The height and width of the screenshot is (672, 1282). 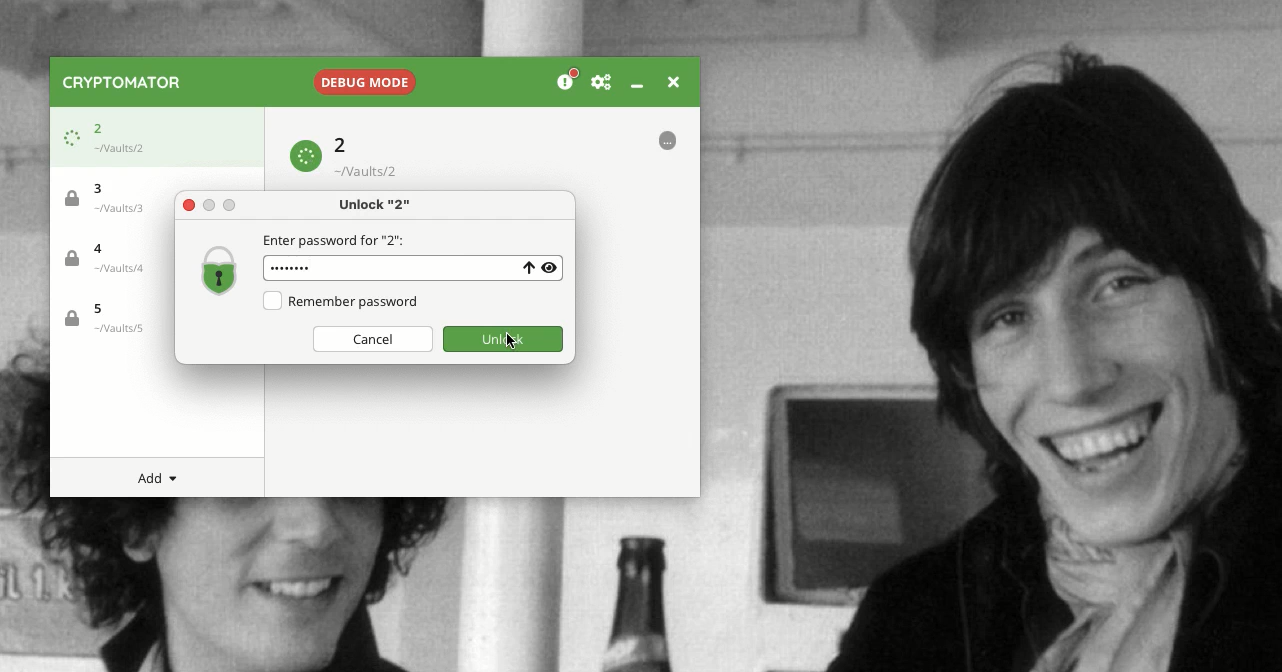 What do you see at coordinates (104, 319) in the screenshot?
I see `Vault 5` at bounding box center [104, 319].